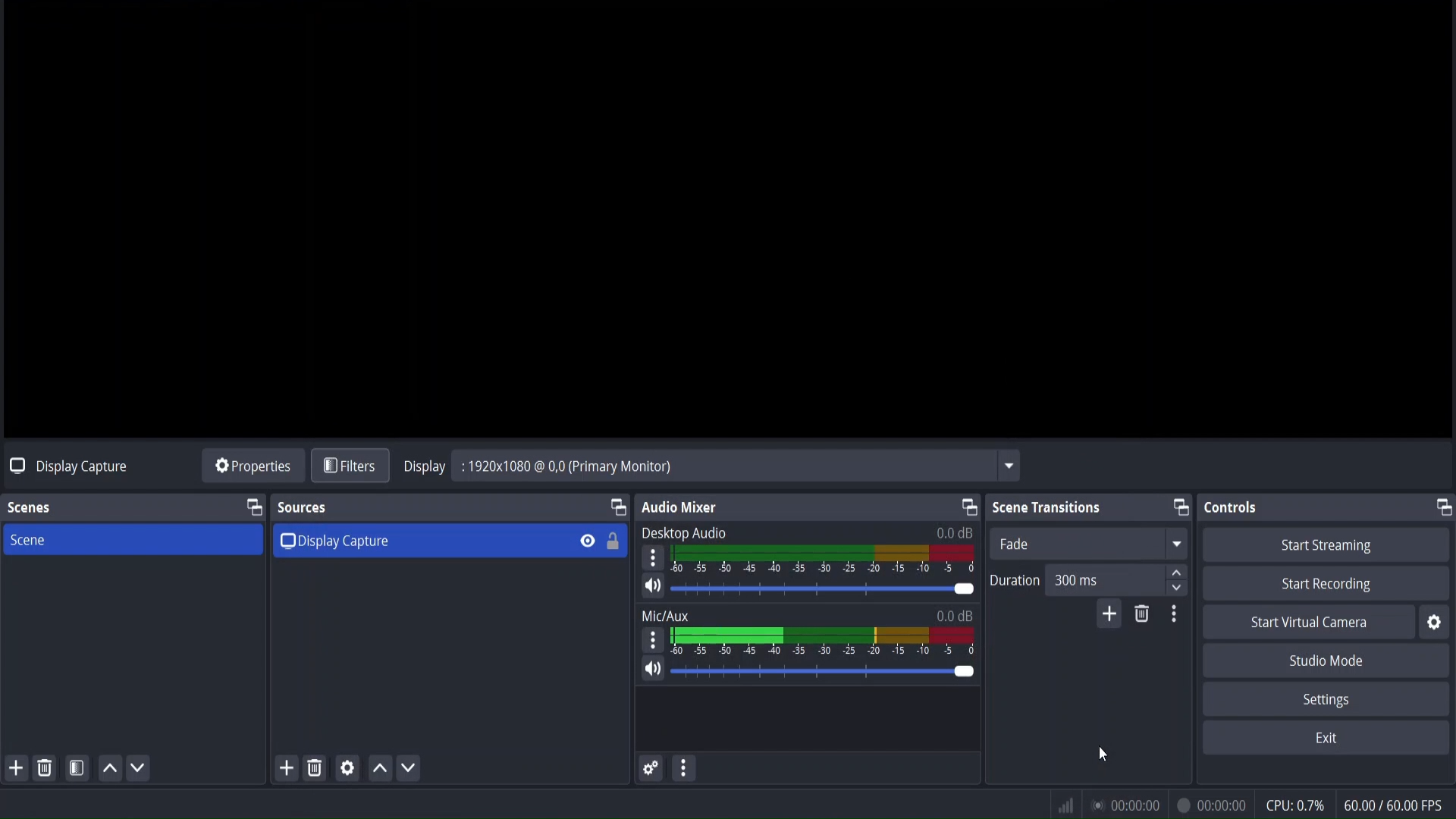 The height and width of the screenshot is (819, 1456). Describe the element at coordinates (17, 769) in the screenshot. I see `add scene` at that location.